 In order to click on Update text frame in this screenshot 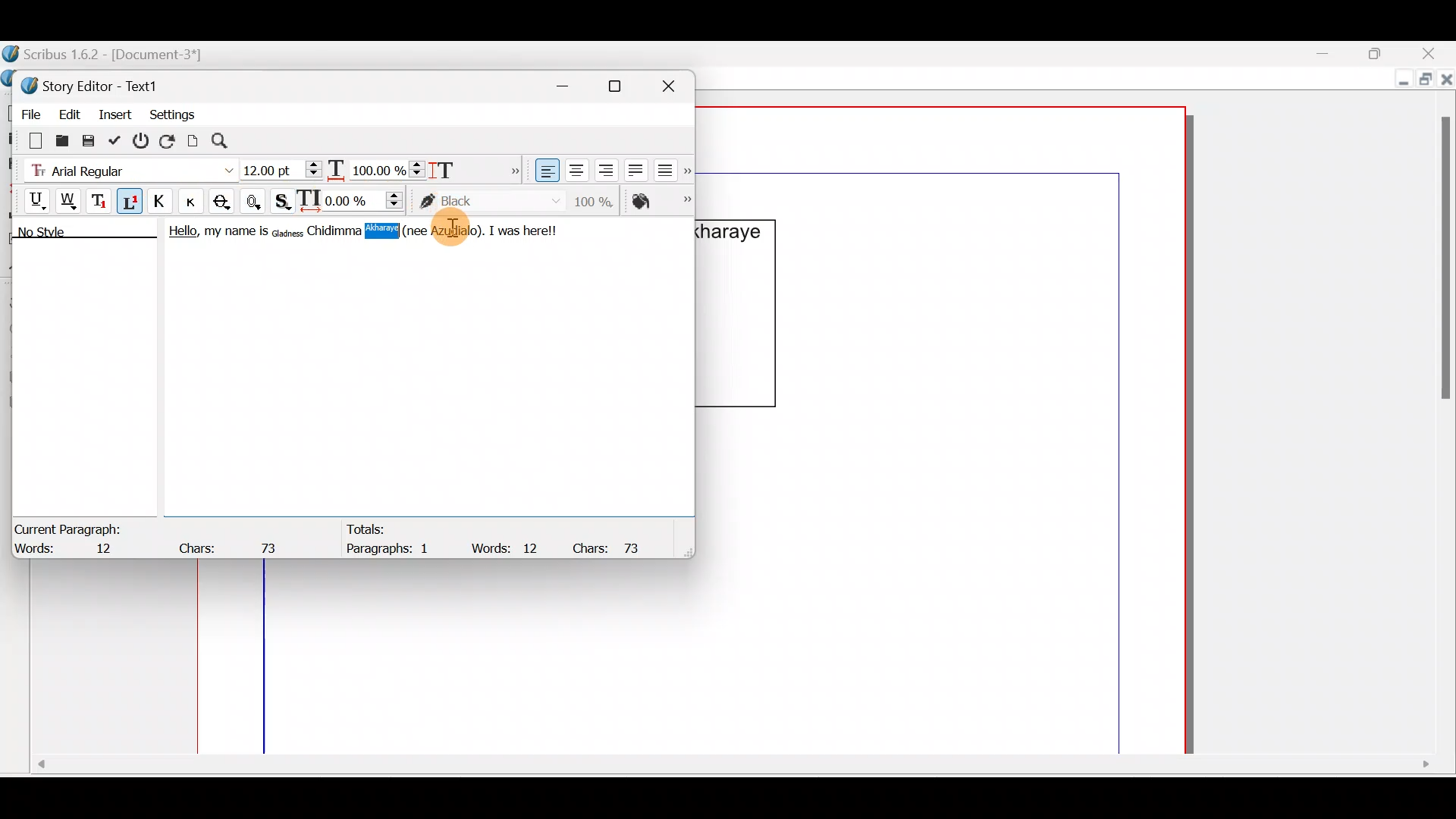, I will do `click(193, 139)`.